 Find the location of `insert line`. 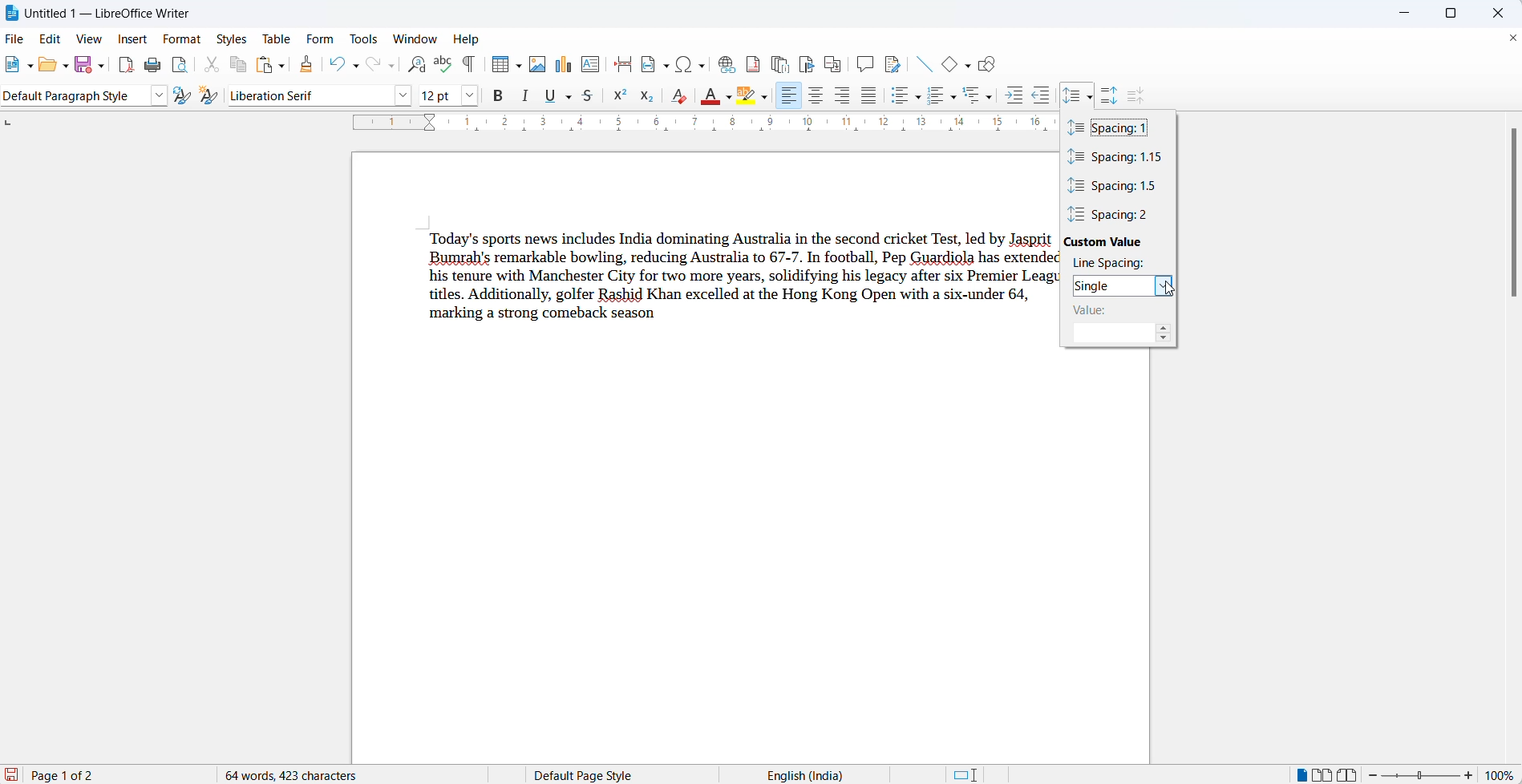

insert line is located at coordinates (925, 64).